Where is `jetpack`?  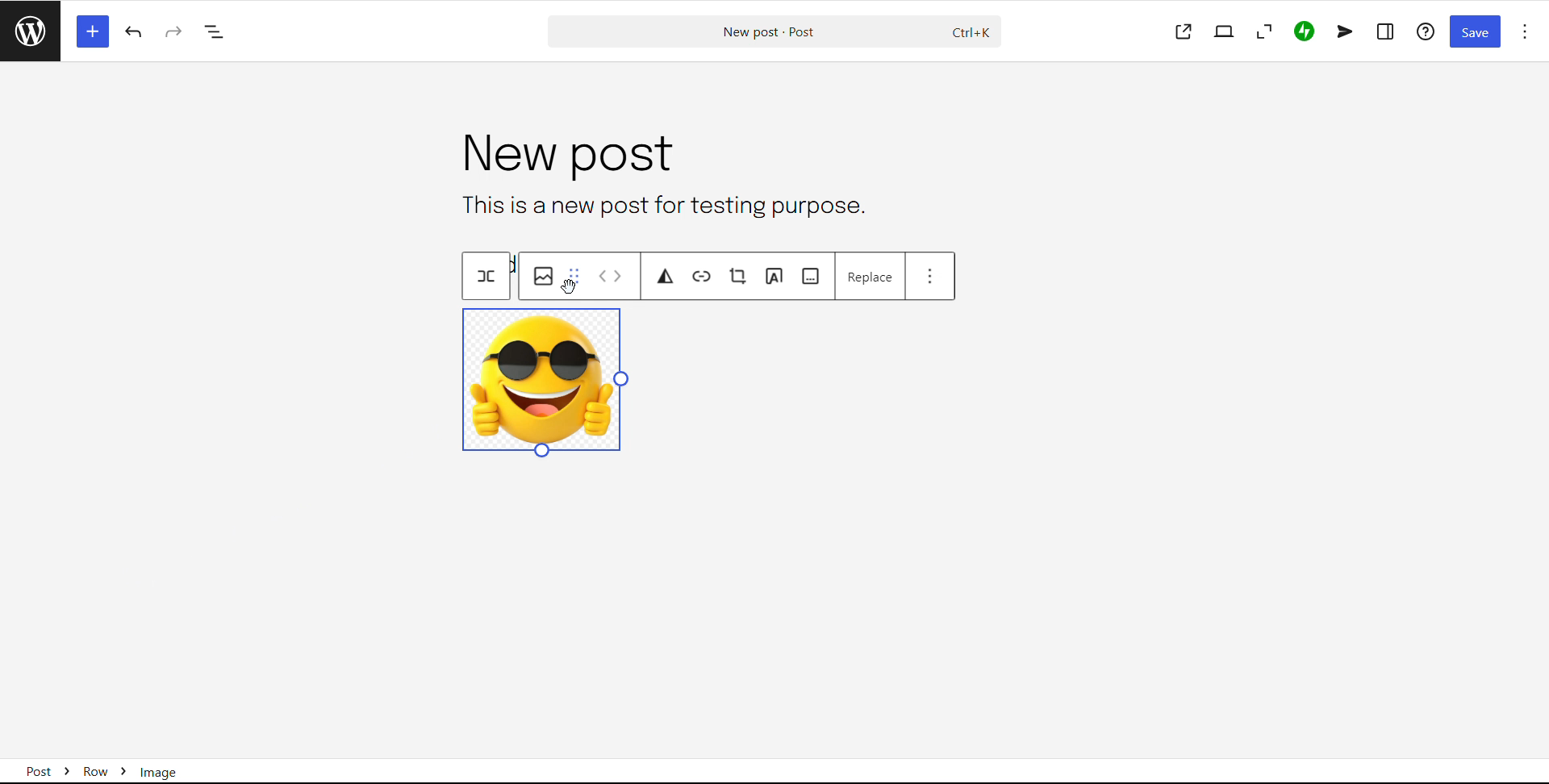 jetpack is located at coordinates (1304, 32).